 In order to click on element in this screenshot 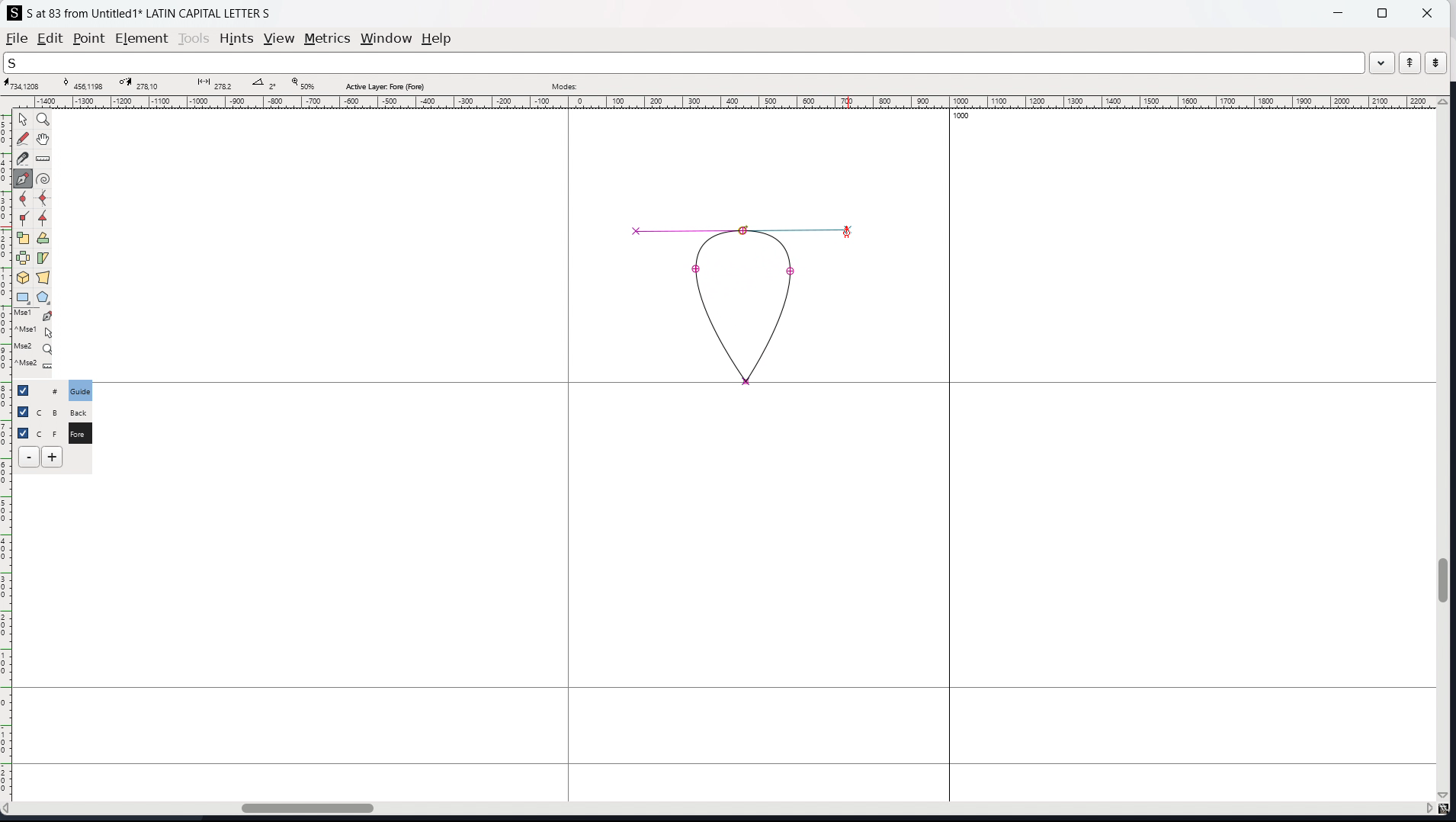, I will do `click(143, 39)`.